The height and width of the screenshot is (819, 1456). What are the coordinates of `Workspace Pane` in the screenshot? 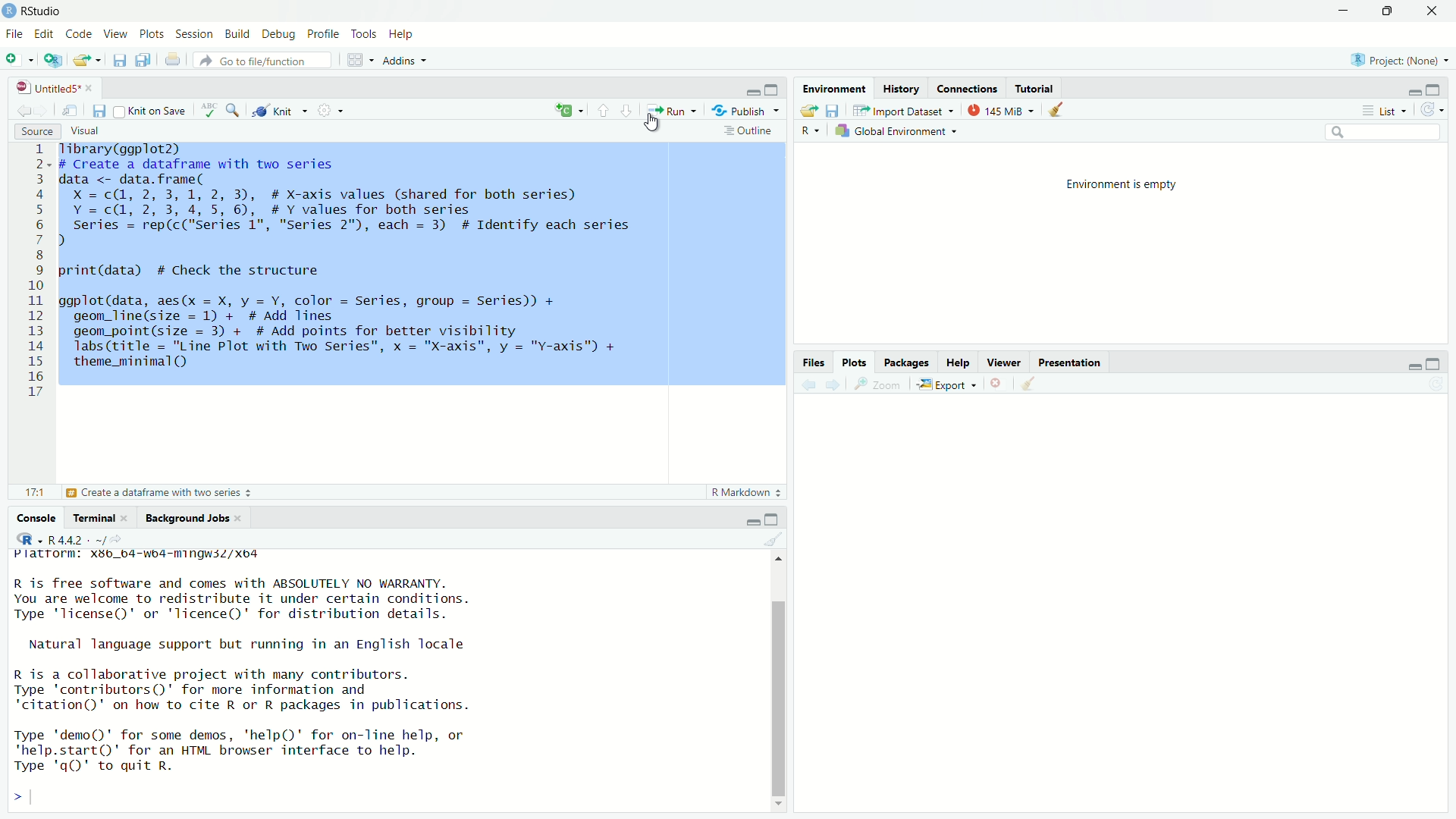 It's located at (359, 61).